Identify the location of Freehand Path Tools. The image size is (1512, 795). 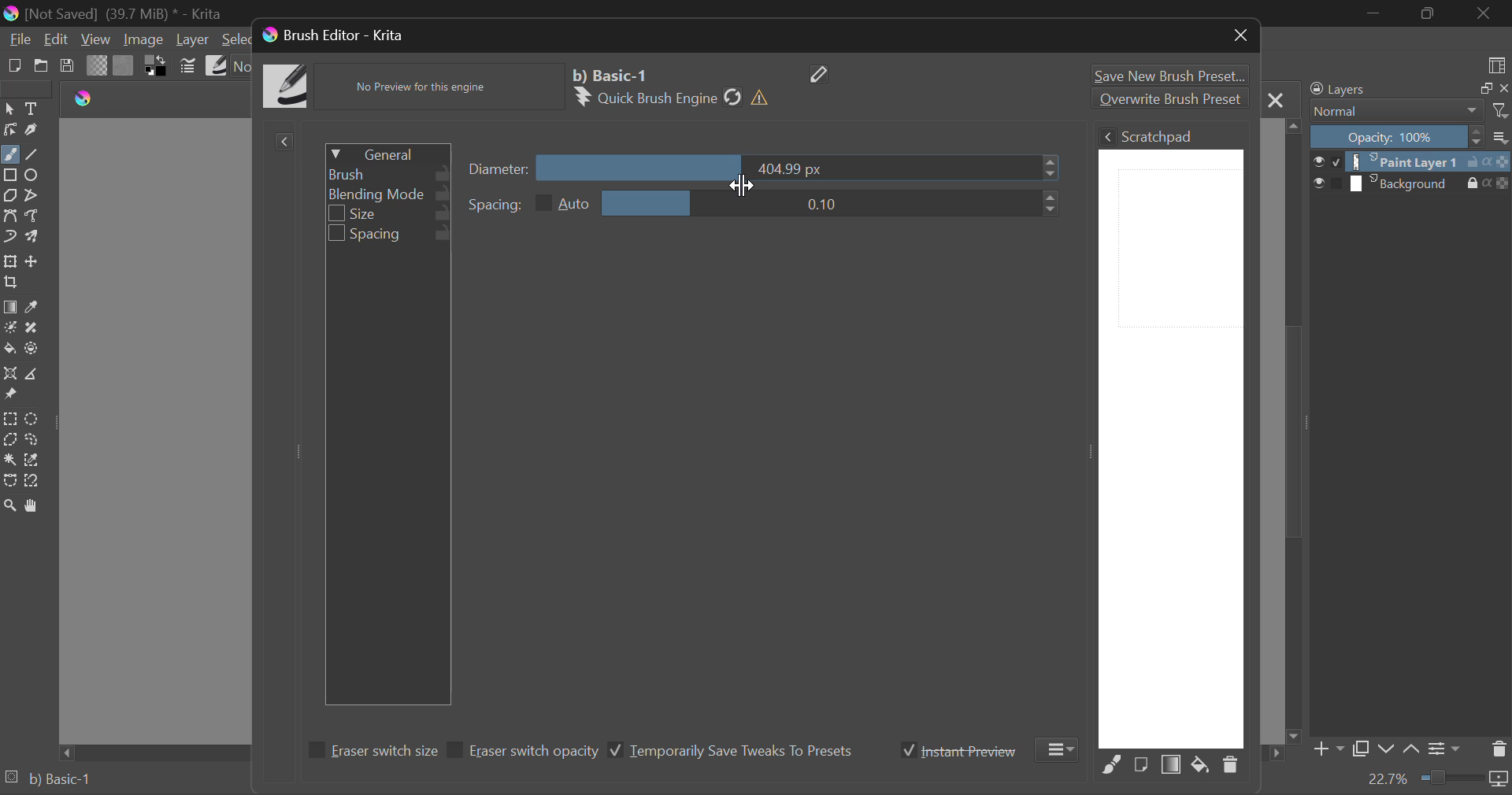
(37, 215).